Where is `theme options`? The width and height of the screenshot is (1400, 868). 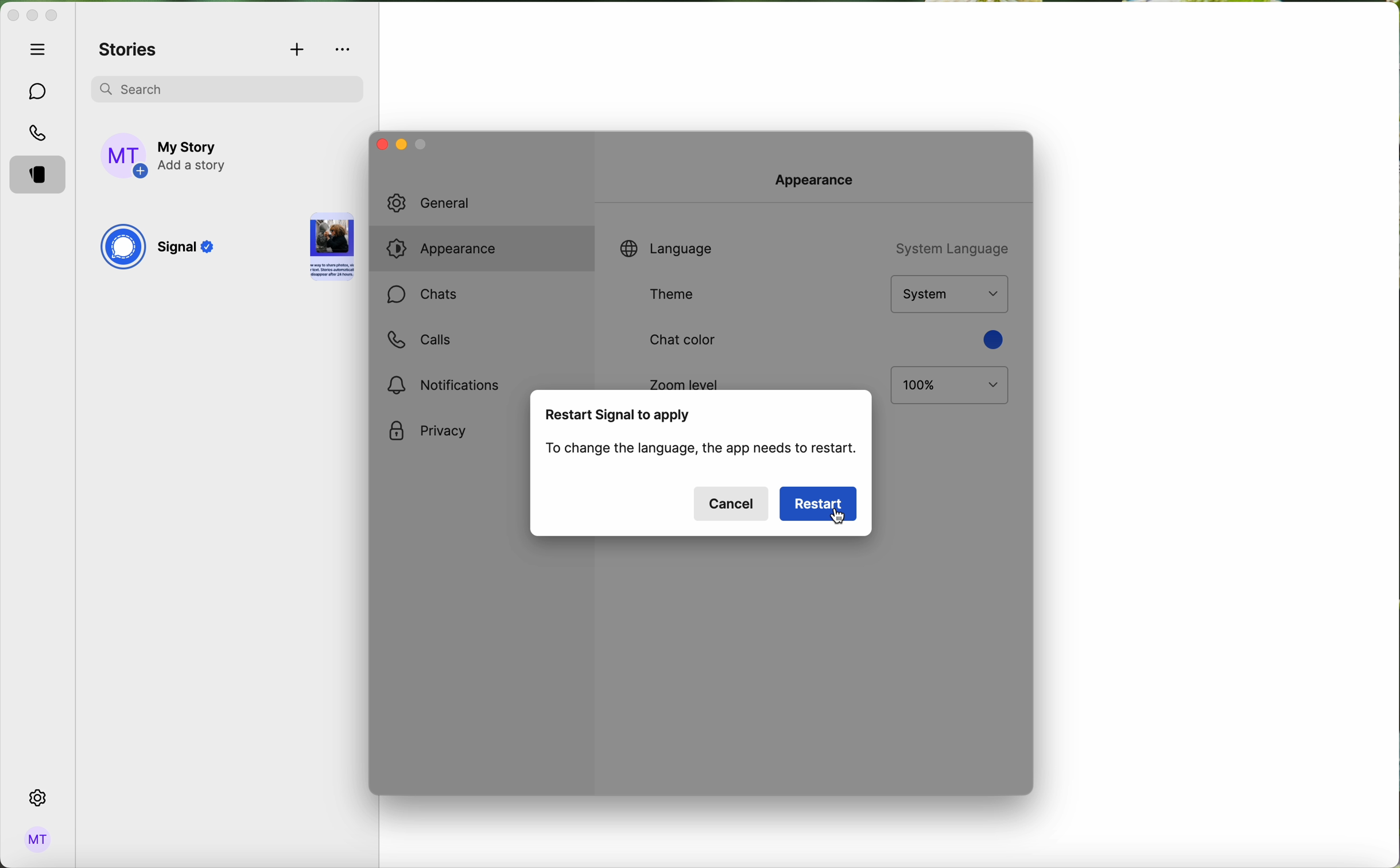
theme options is located at coordinates (948, 294).